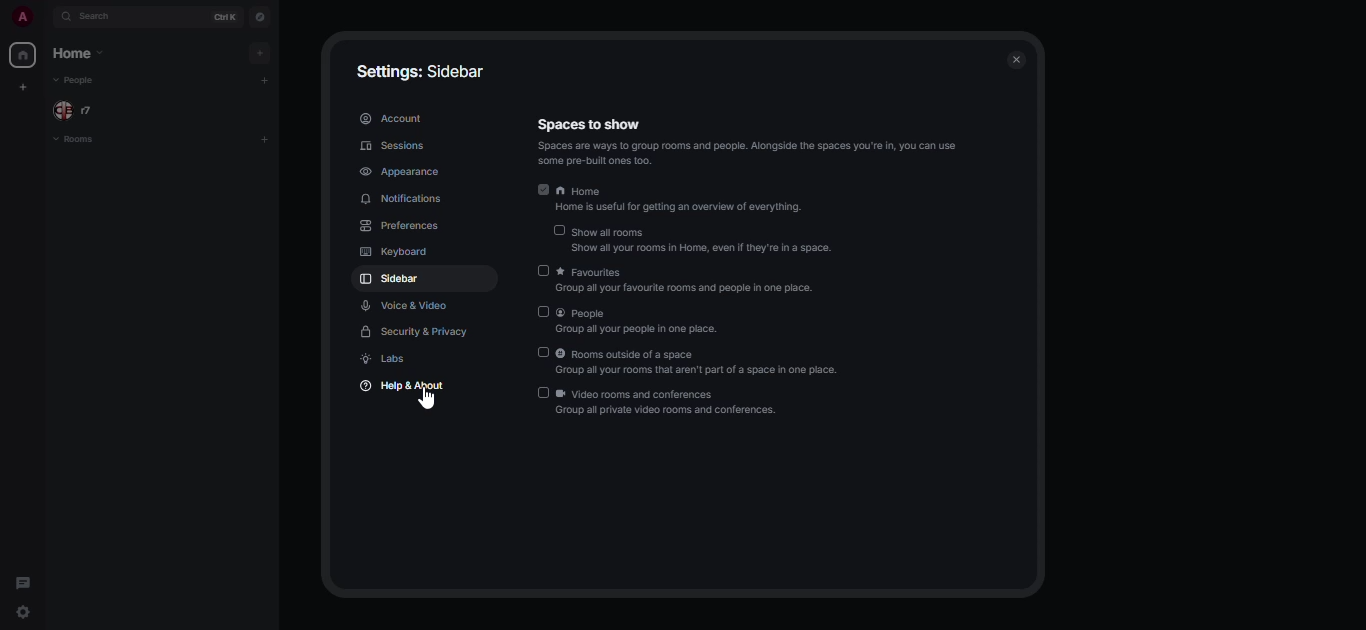 The height and width of the screenshot is (630, 1366). I want to click on threads, so click(24, 584).